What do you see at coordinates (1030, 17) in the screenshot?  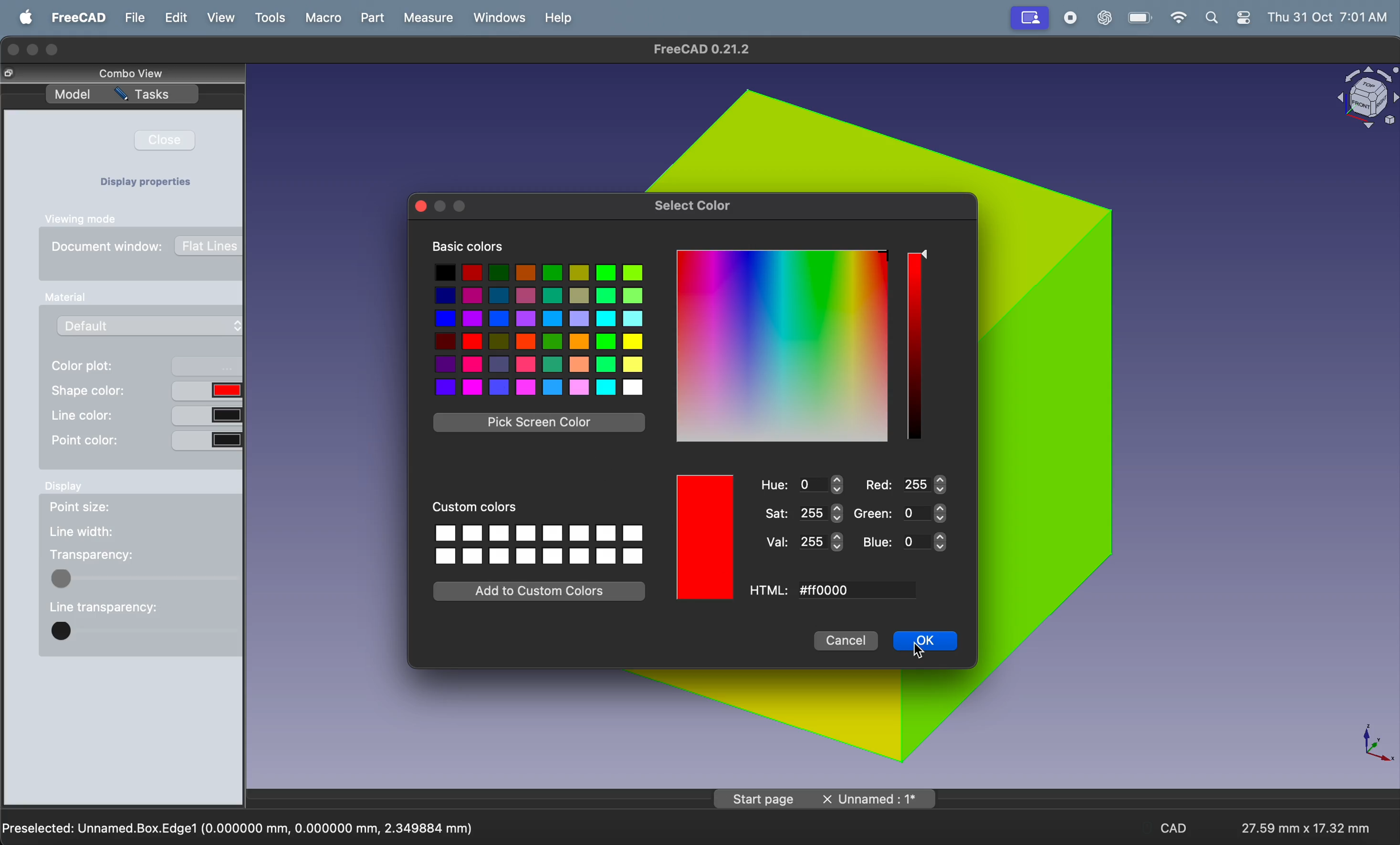 I see `mirror` at bounding box center [1030, 17].